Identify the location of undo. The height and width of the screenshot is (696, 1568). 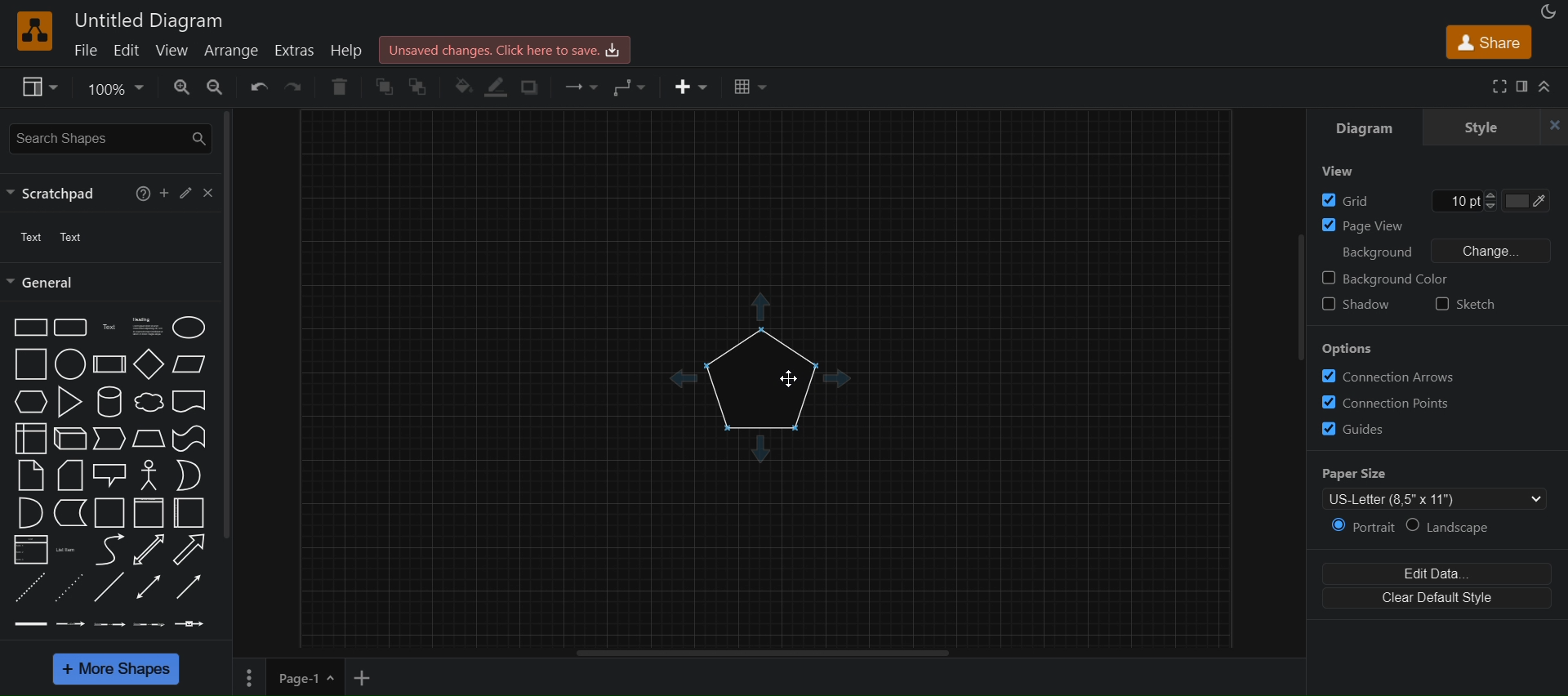
(256, 89).